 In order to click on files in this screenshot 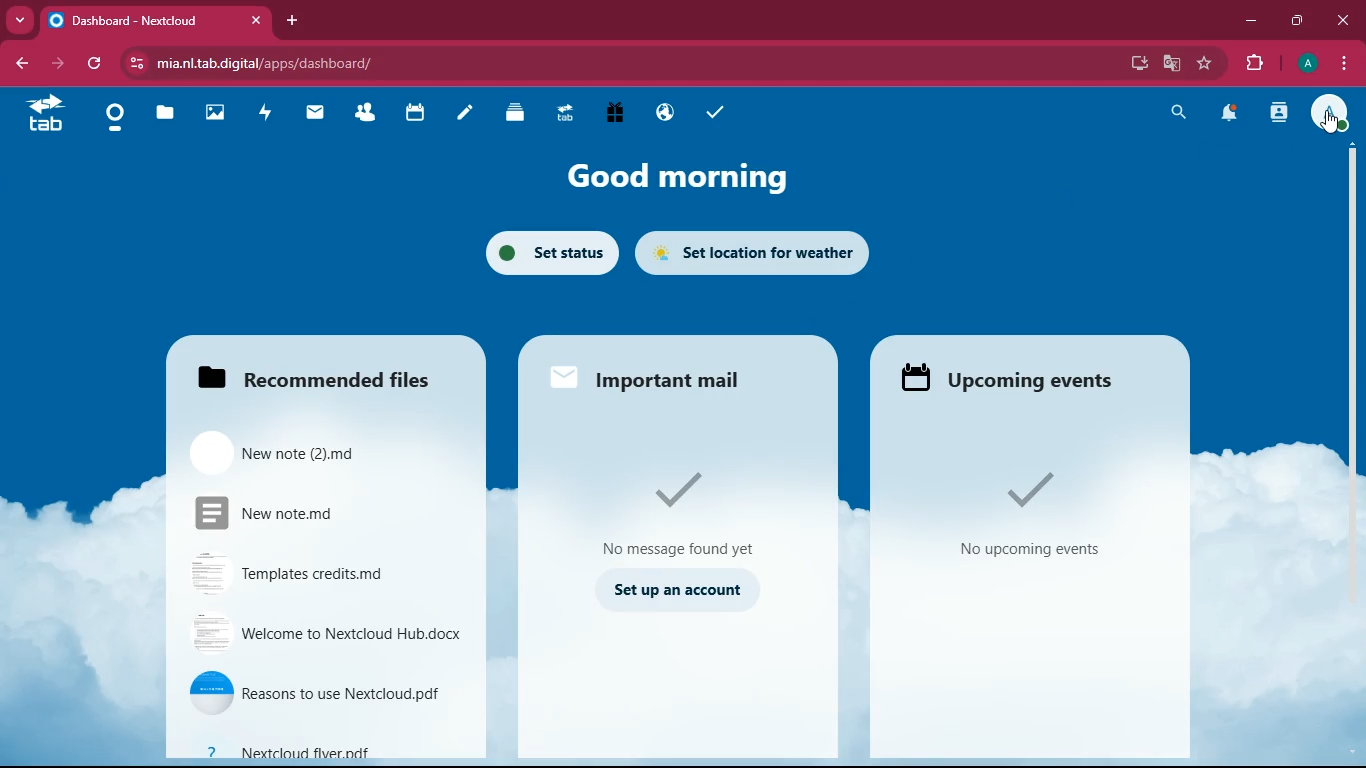, I will do `click(318, 372)`.